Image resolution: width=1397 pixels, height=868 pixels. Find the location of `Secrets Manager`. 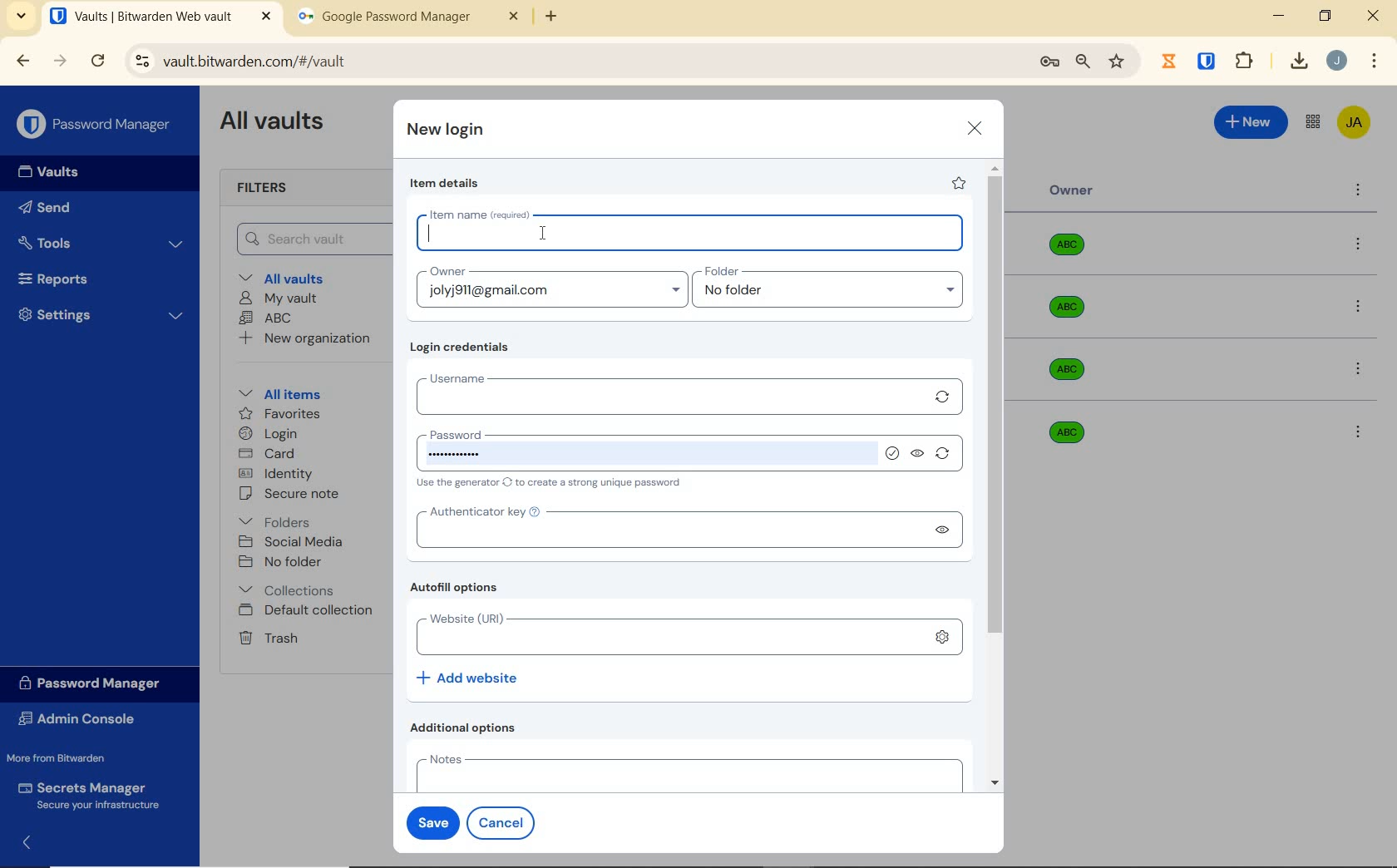

Secrets Manager is located at coordinates (86, 796).